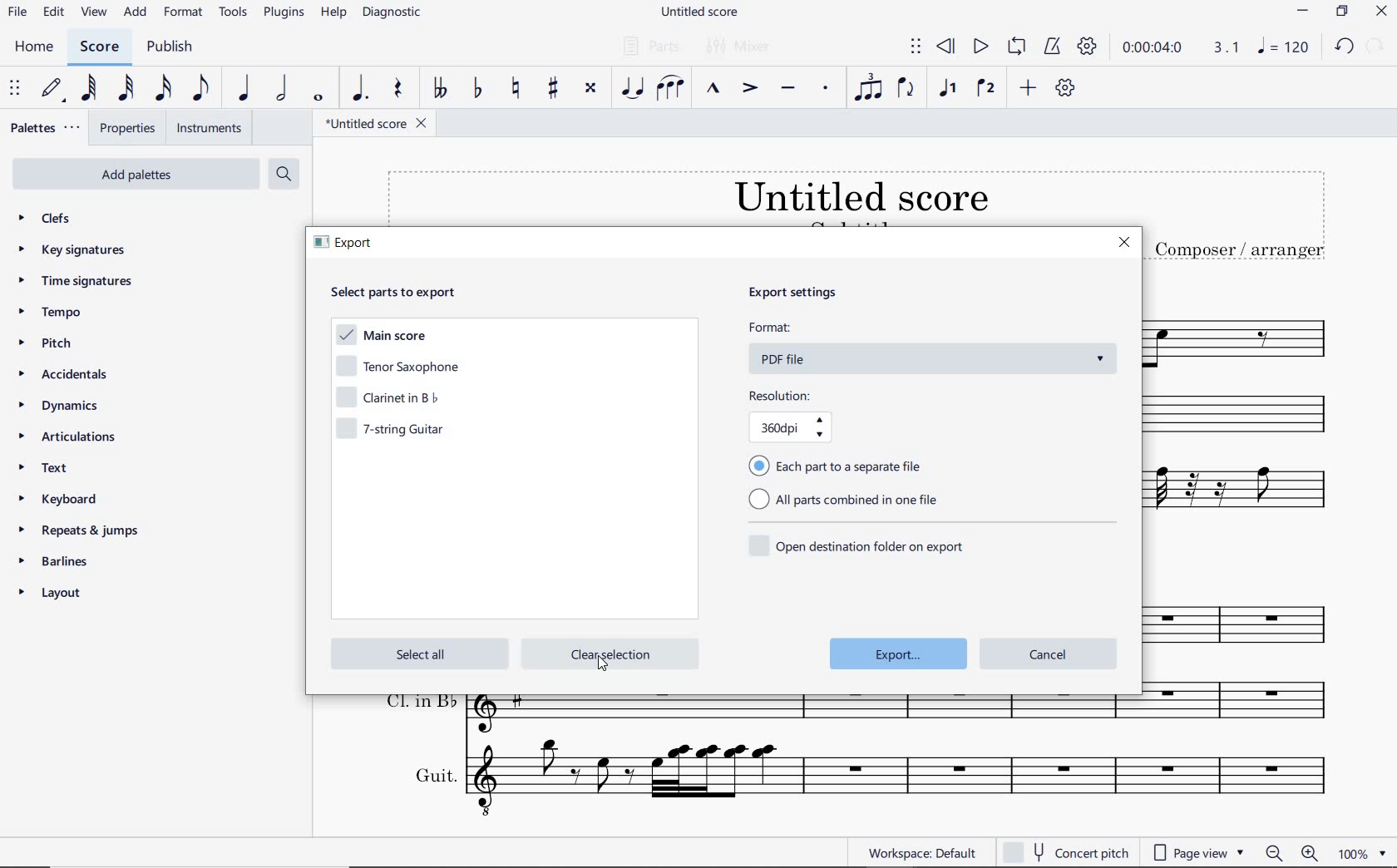 This screenshot has height=868, width=1397. I want to click on HOME, so click(34, 47).